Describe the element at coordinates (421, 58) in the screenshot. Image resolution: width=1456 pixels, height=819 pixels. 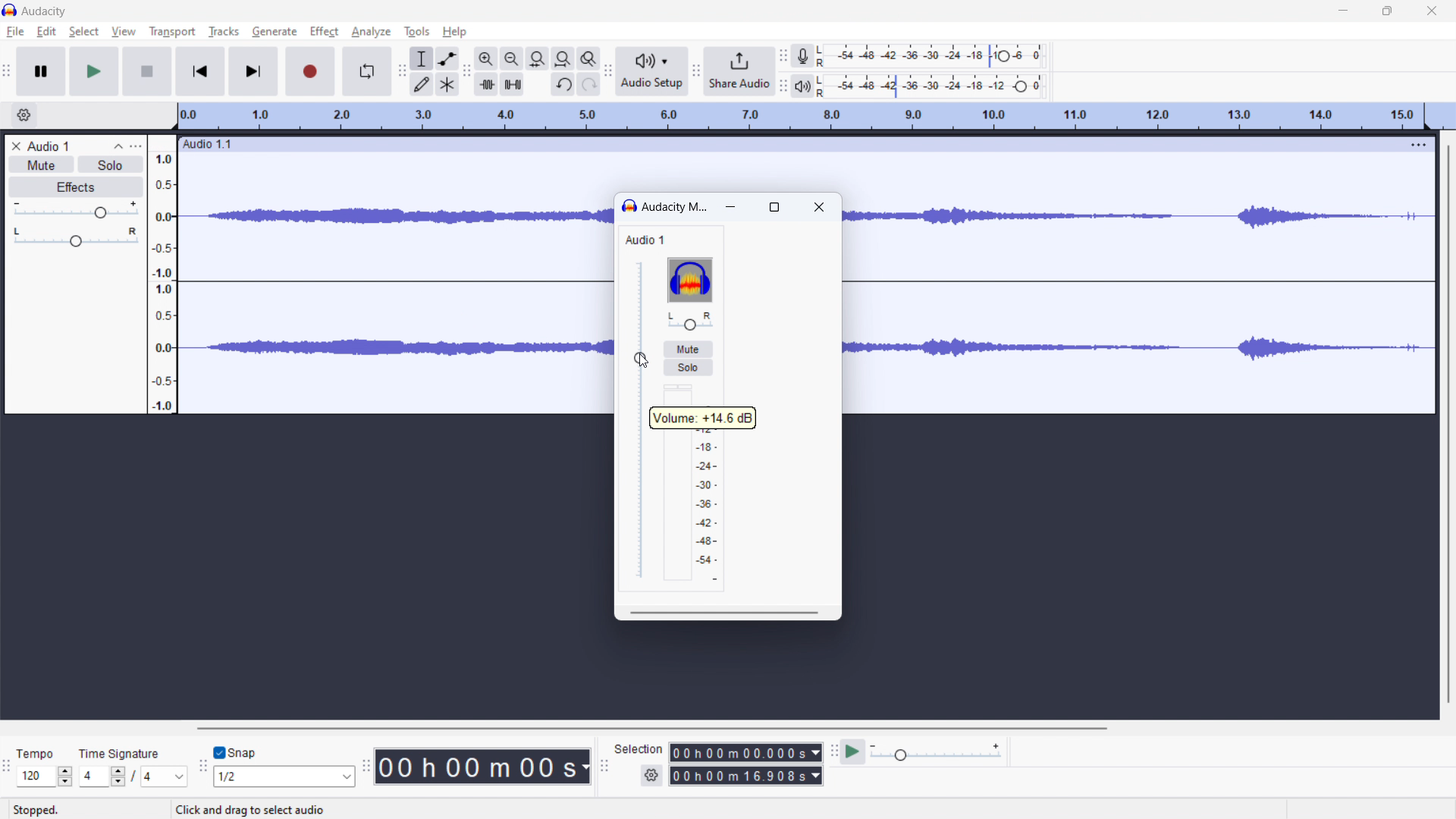
I see `selection tool` at that location.